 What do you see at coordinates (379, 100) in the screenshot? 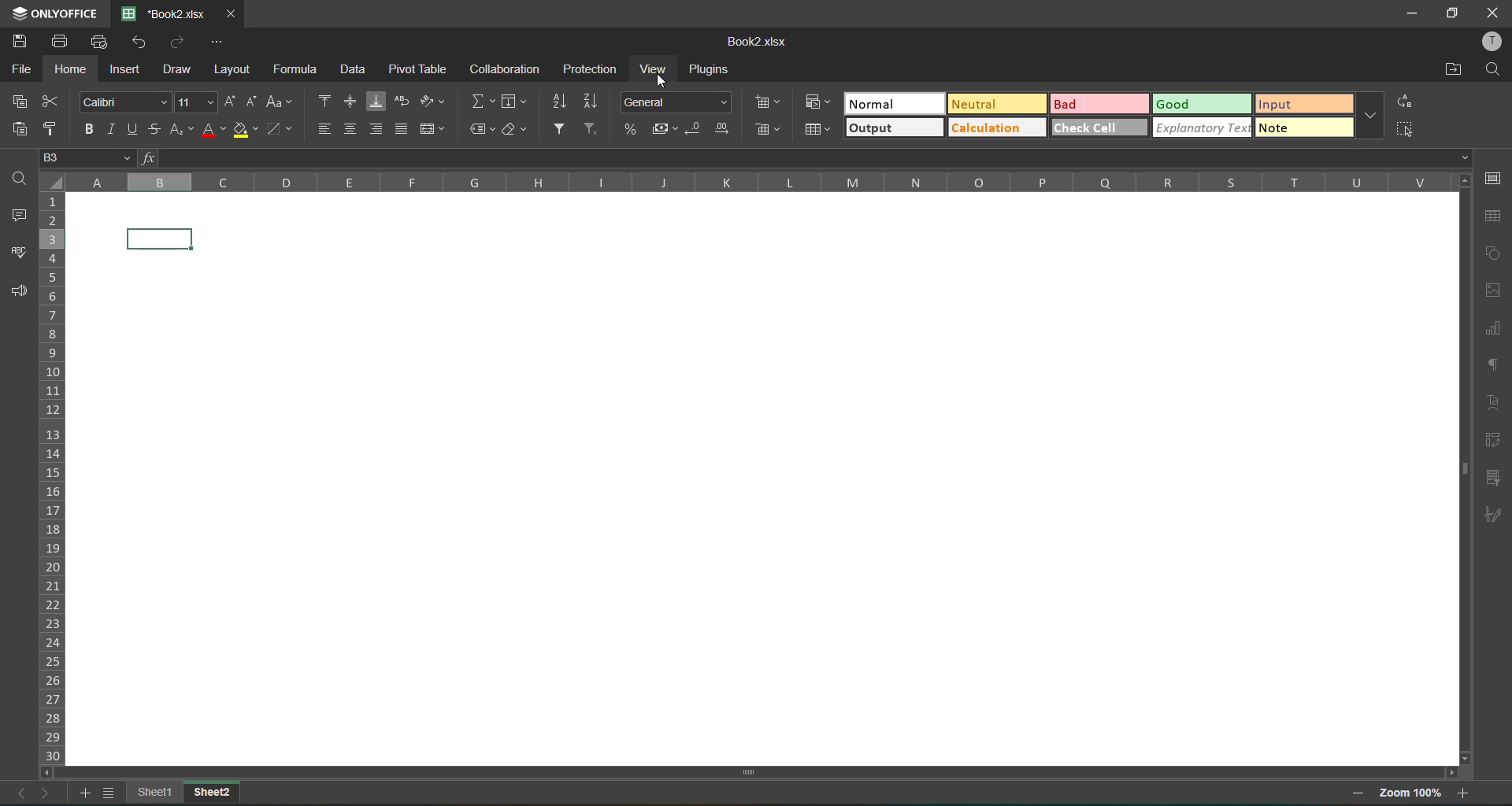
I see `align bottom` at bounding box center [379, 100].